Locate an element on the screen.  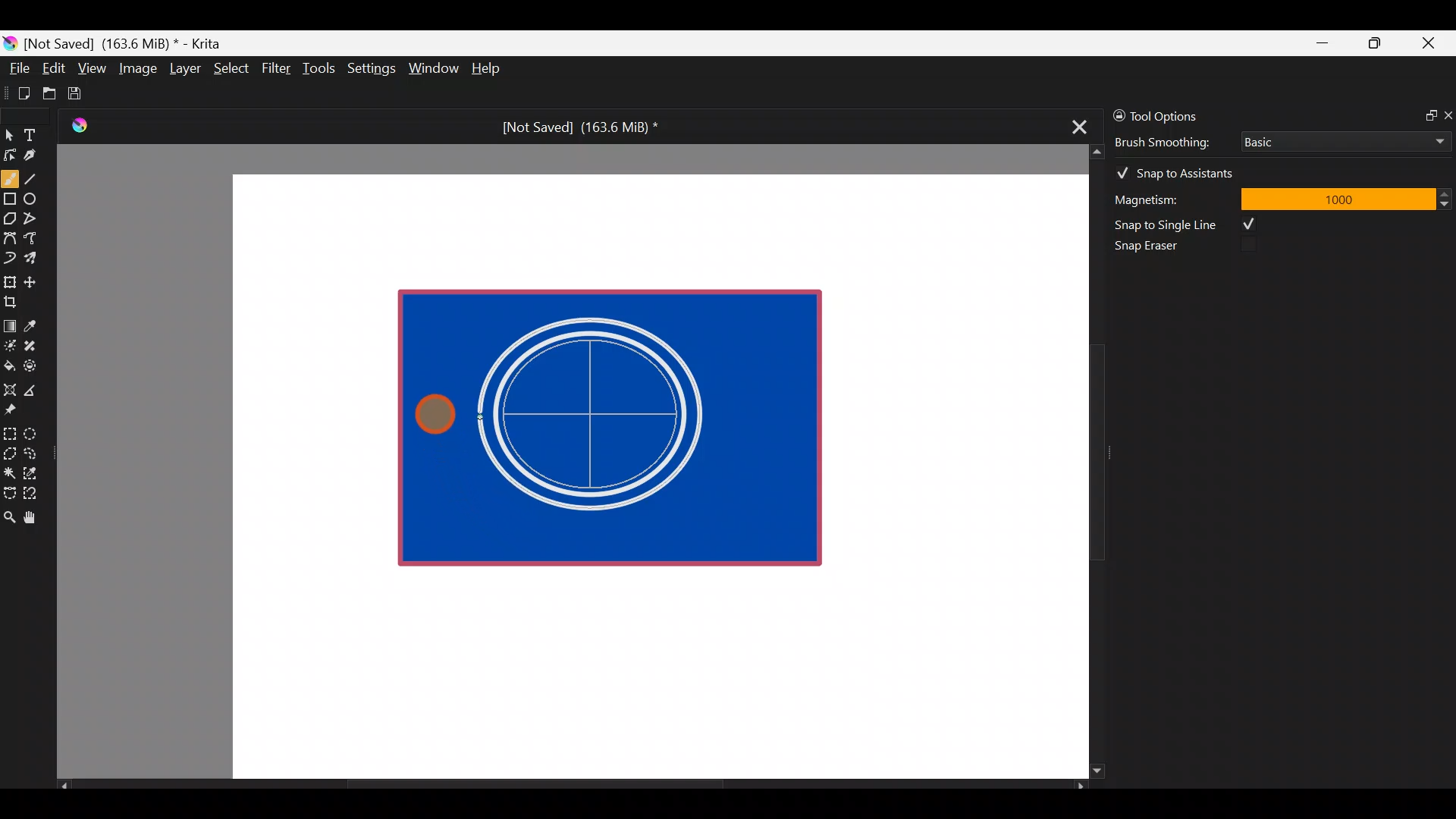
Magnetic curve selection tool is located at coordinates (35, 494).